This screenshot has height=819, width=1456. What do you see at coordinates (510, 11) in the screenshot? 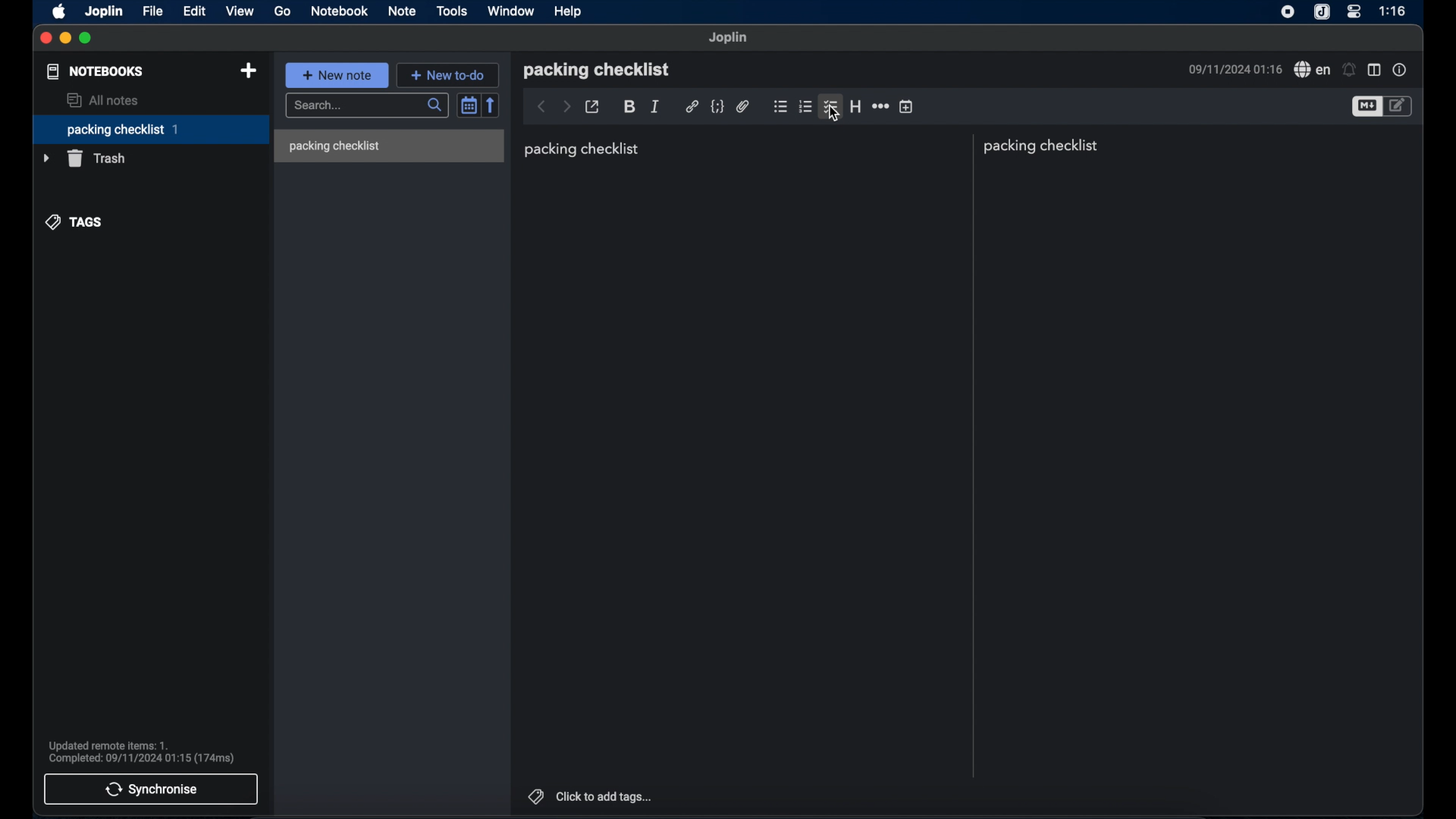
I see `window` at bounding box center [510, 11].